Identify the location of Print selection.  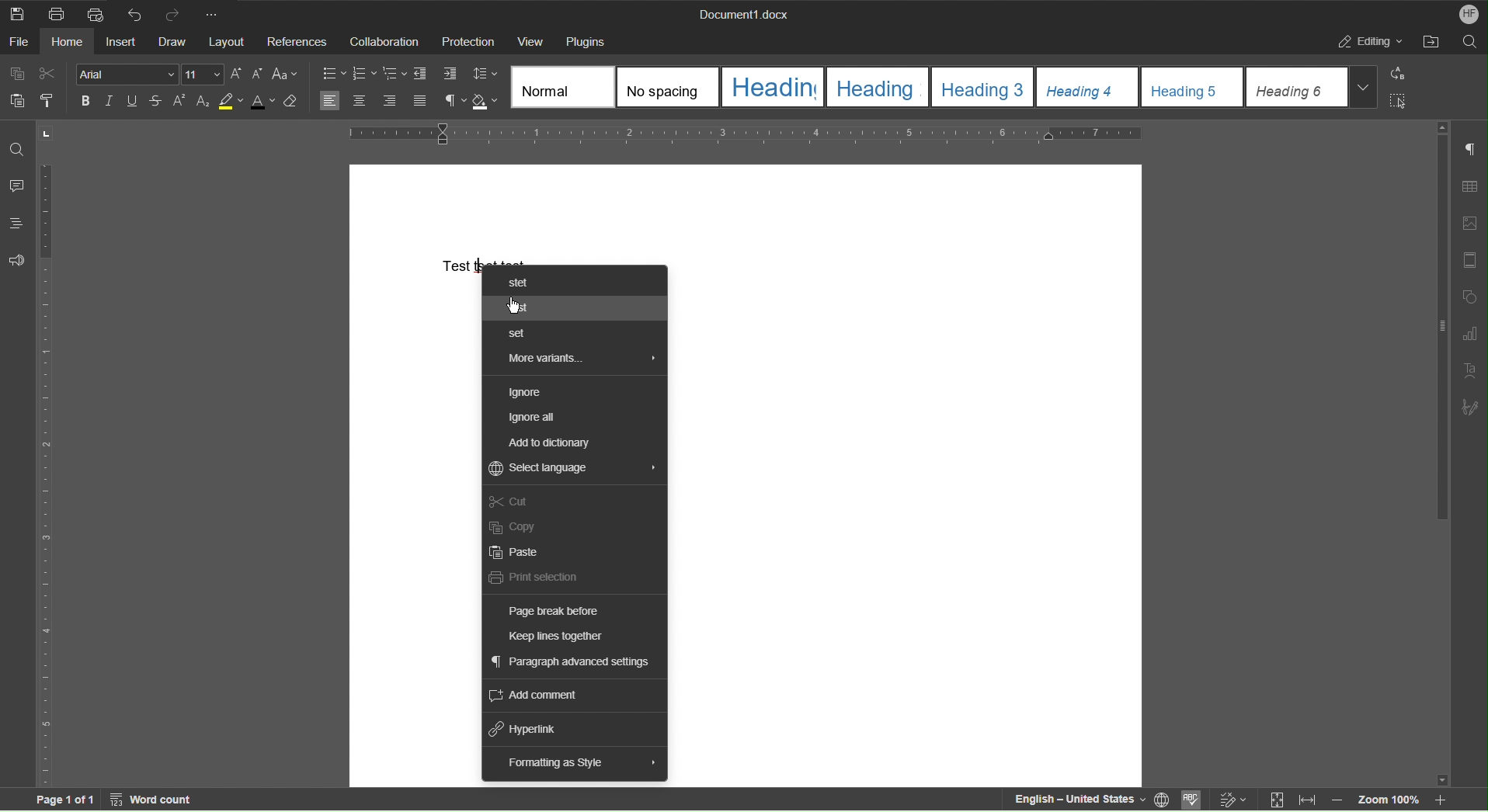
(530, 580).